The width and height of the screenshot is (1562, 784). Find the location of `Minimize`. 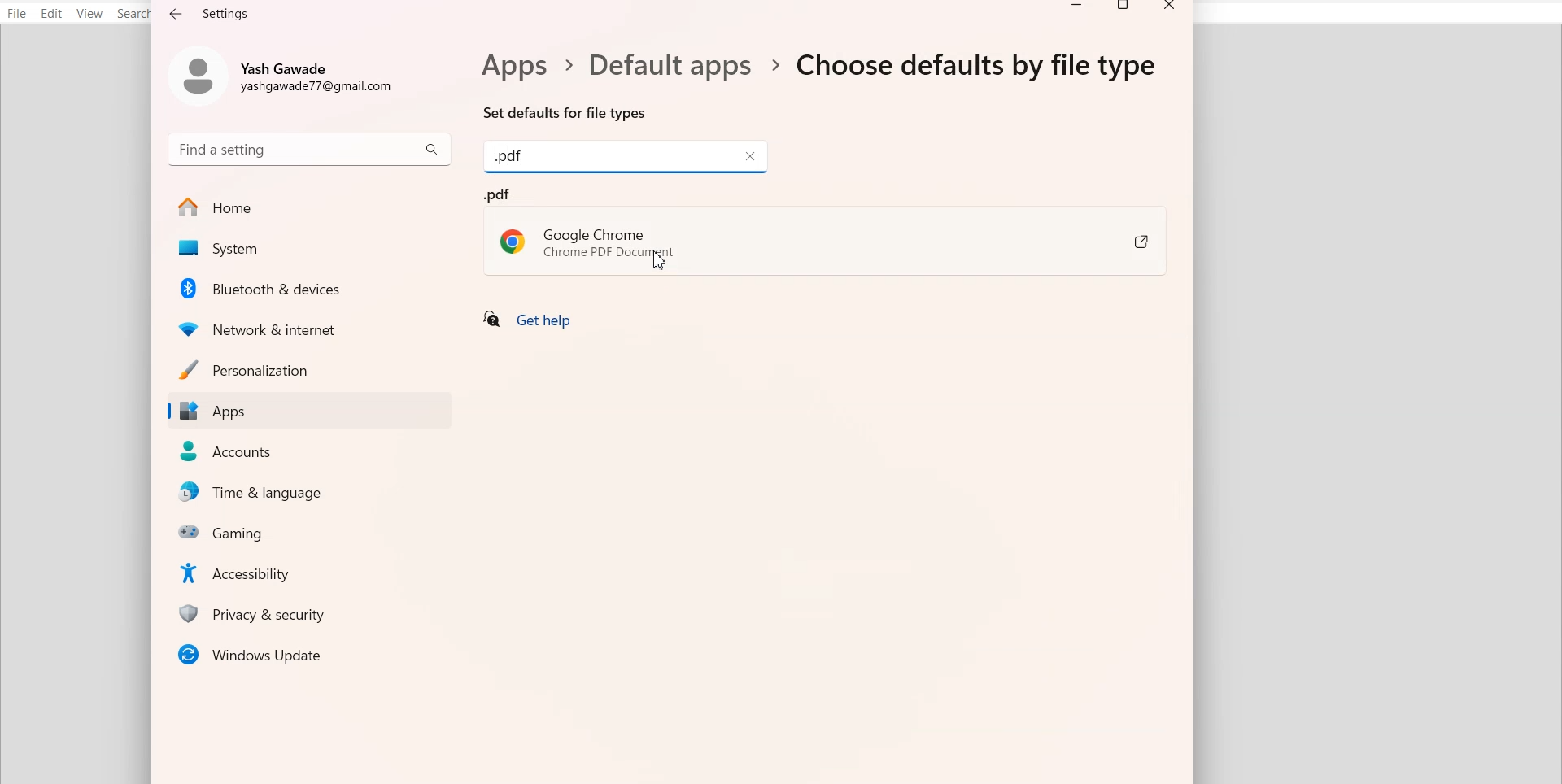

Minimize is located at coordinates (1077, 8).